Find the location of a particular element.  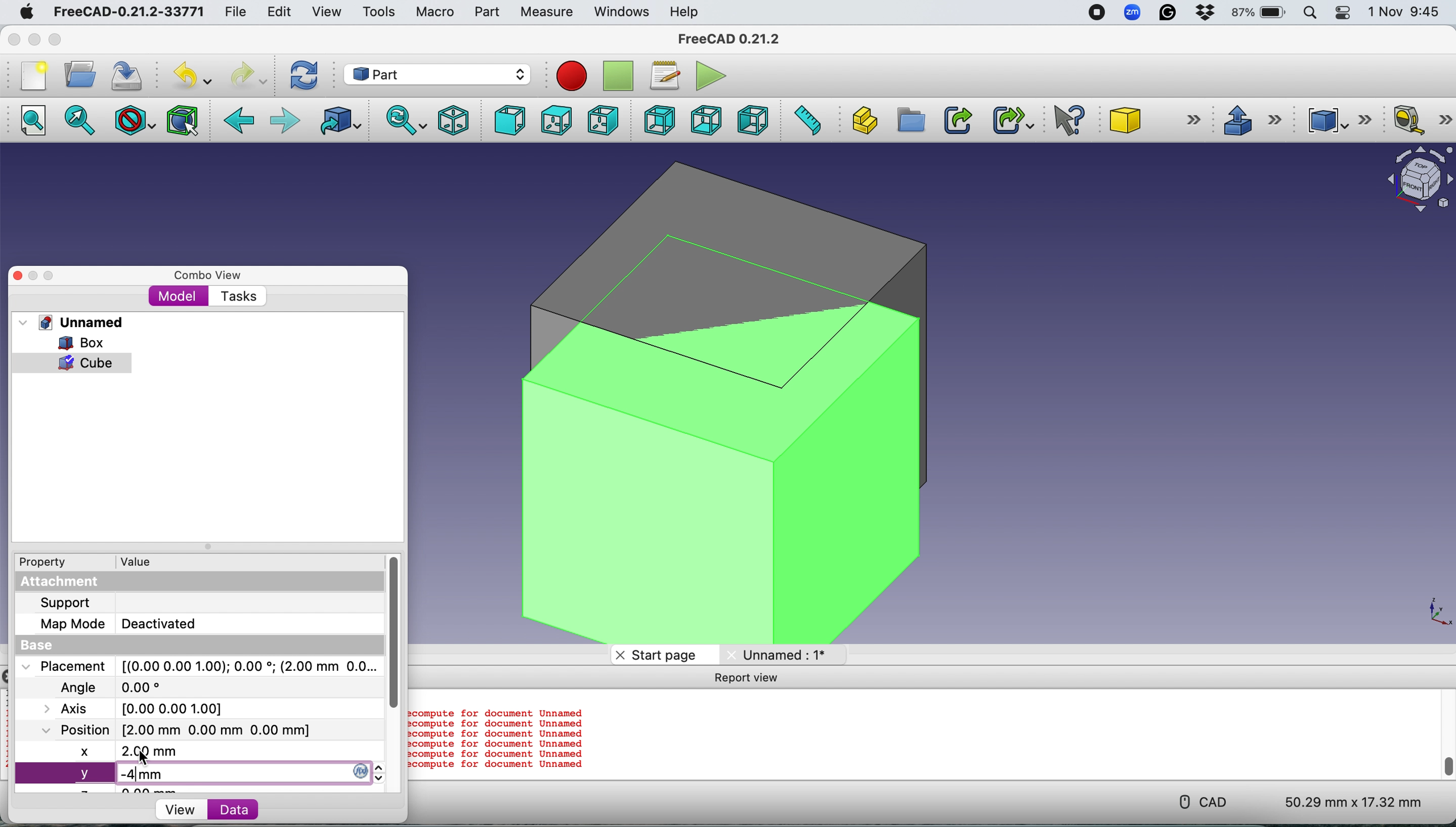

Macros is located at coordinates (668, 76).